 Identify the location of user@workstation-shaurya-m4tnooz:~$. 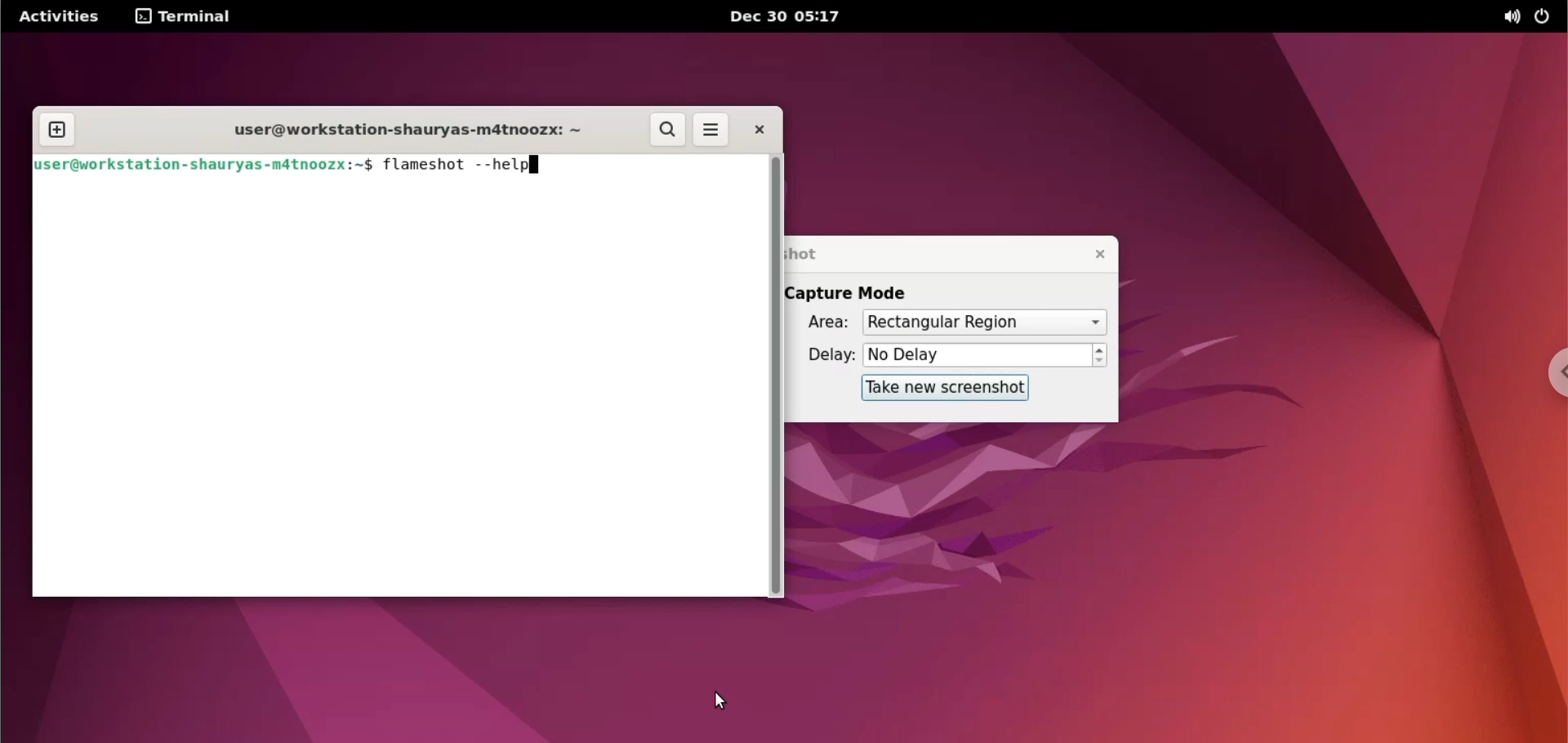
(207, 166).